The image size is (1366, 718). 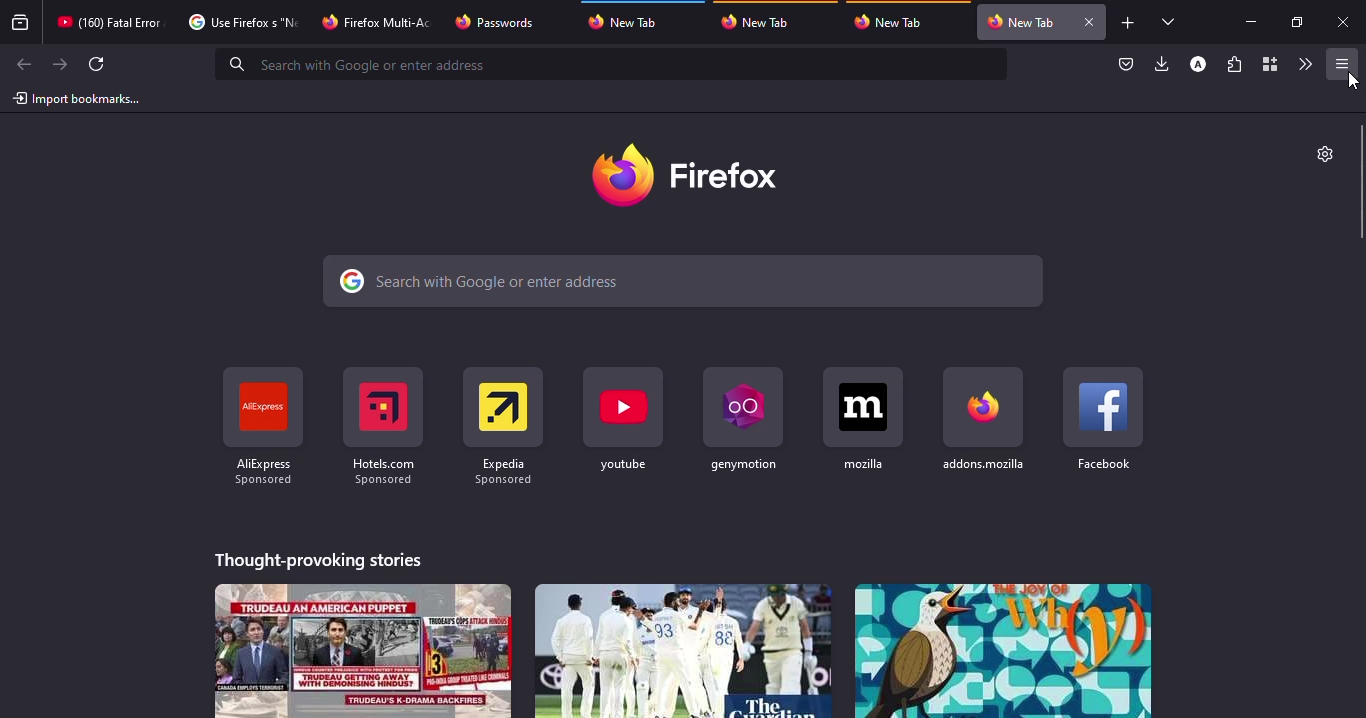 What do you see at coordinates (1345, 23) in the screenshot?
I see `close` at bounding box center [1345, 23].